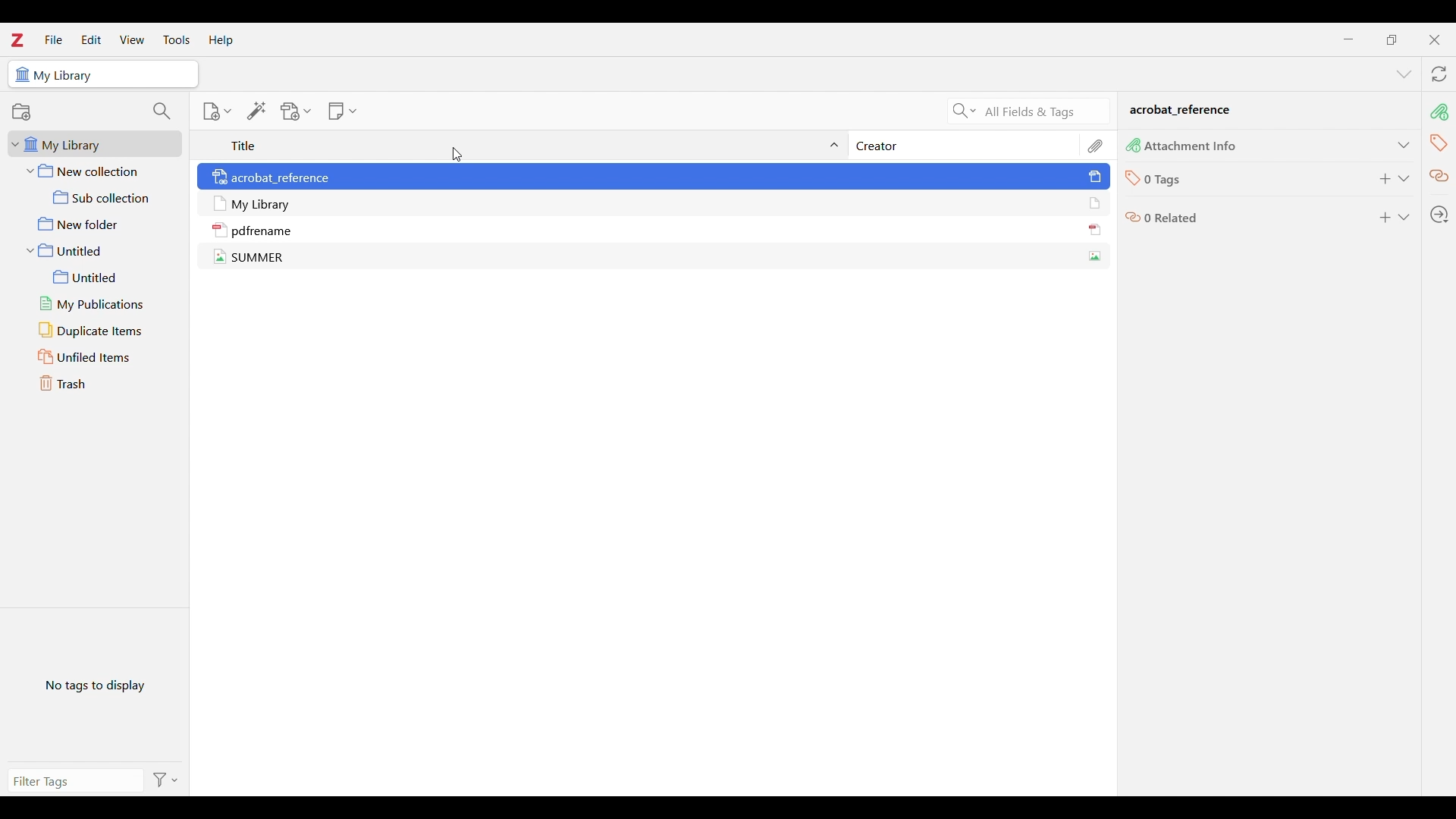  I want to click on Add item/s by identifier, so click(257, 111).